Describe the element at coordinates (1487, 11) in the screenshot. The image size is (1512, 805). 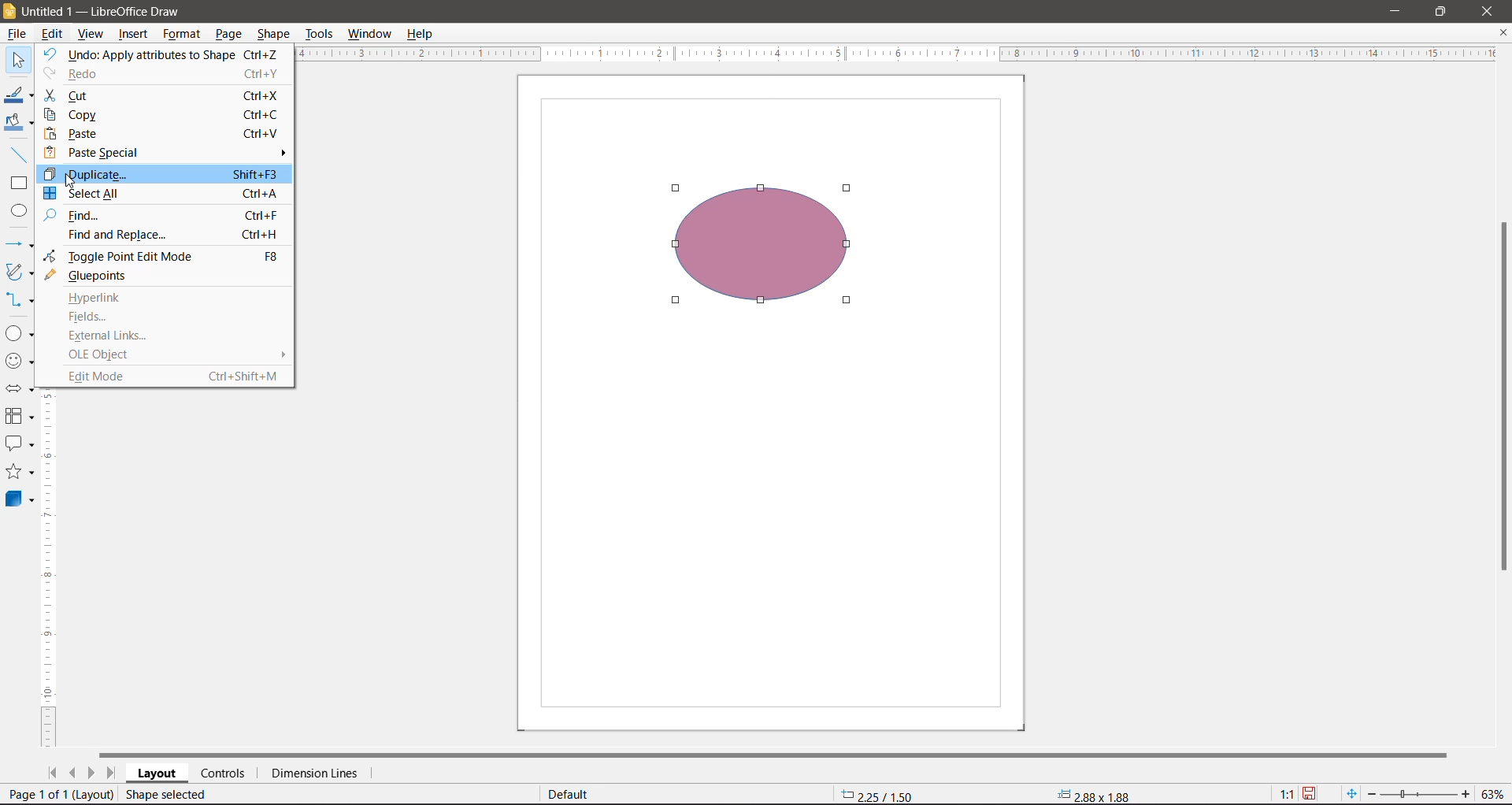
I see `Close` at that location.